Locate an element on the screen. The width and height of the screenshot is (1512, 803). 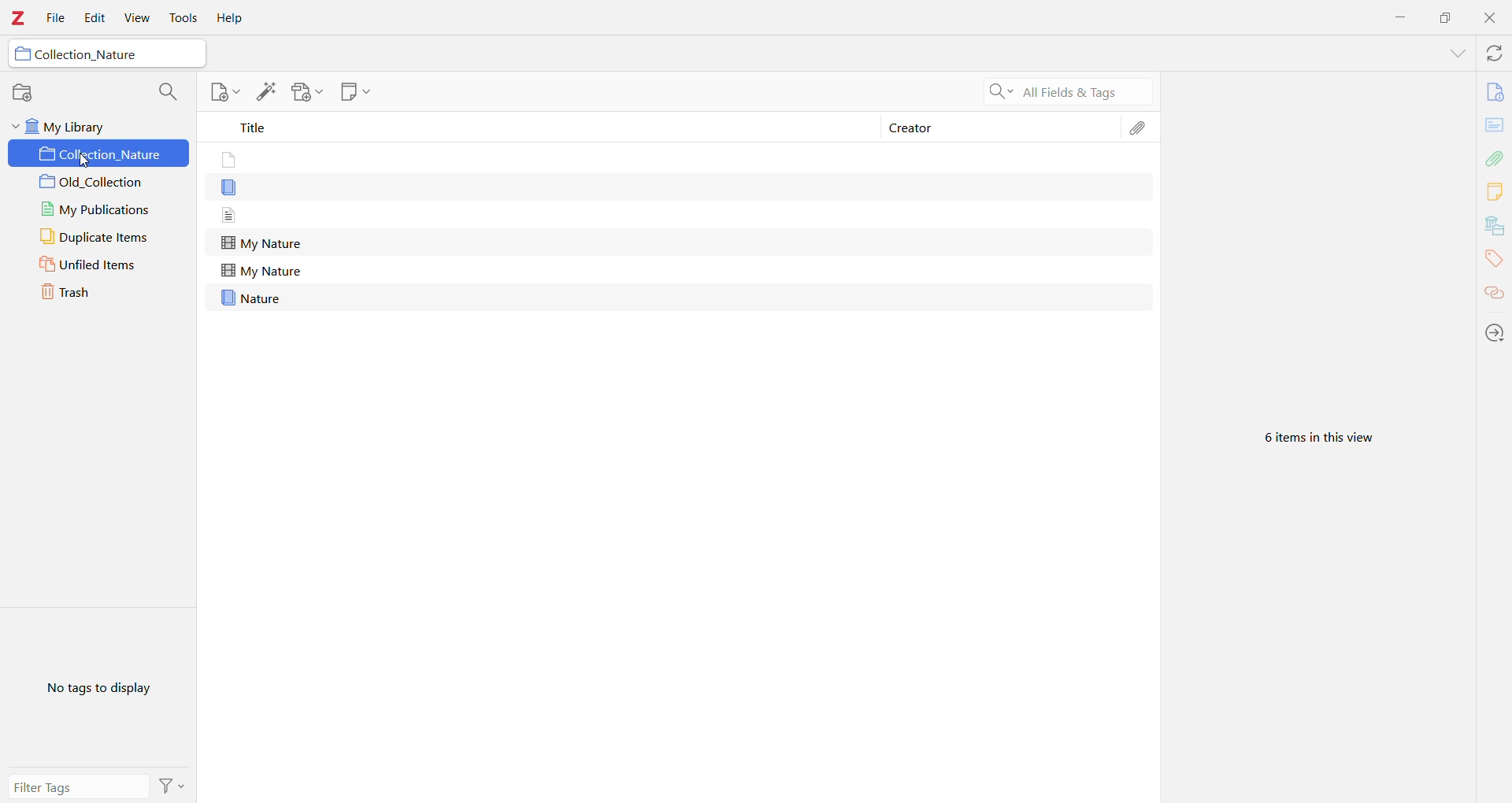
Abstract is located at coordinates (1496, 126).